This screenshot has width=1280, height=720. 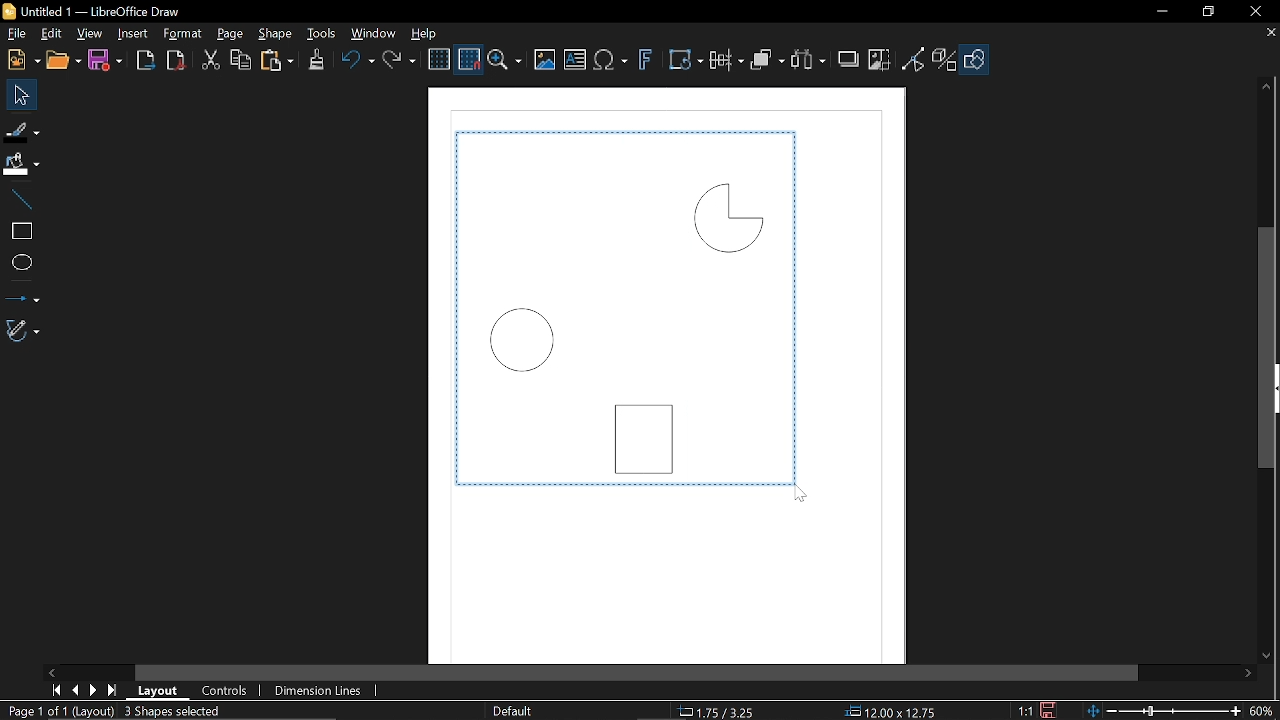 I want to click on Redo, so click(x=402, y=61).